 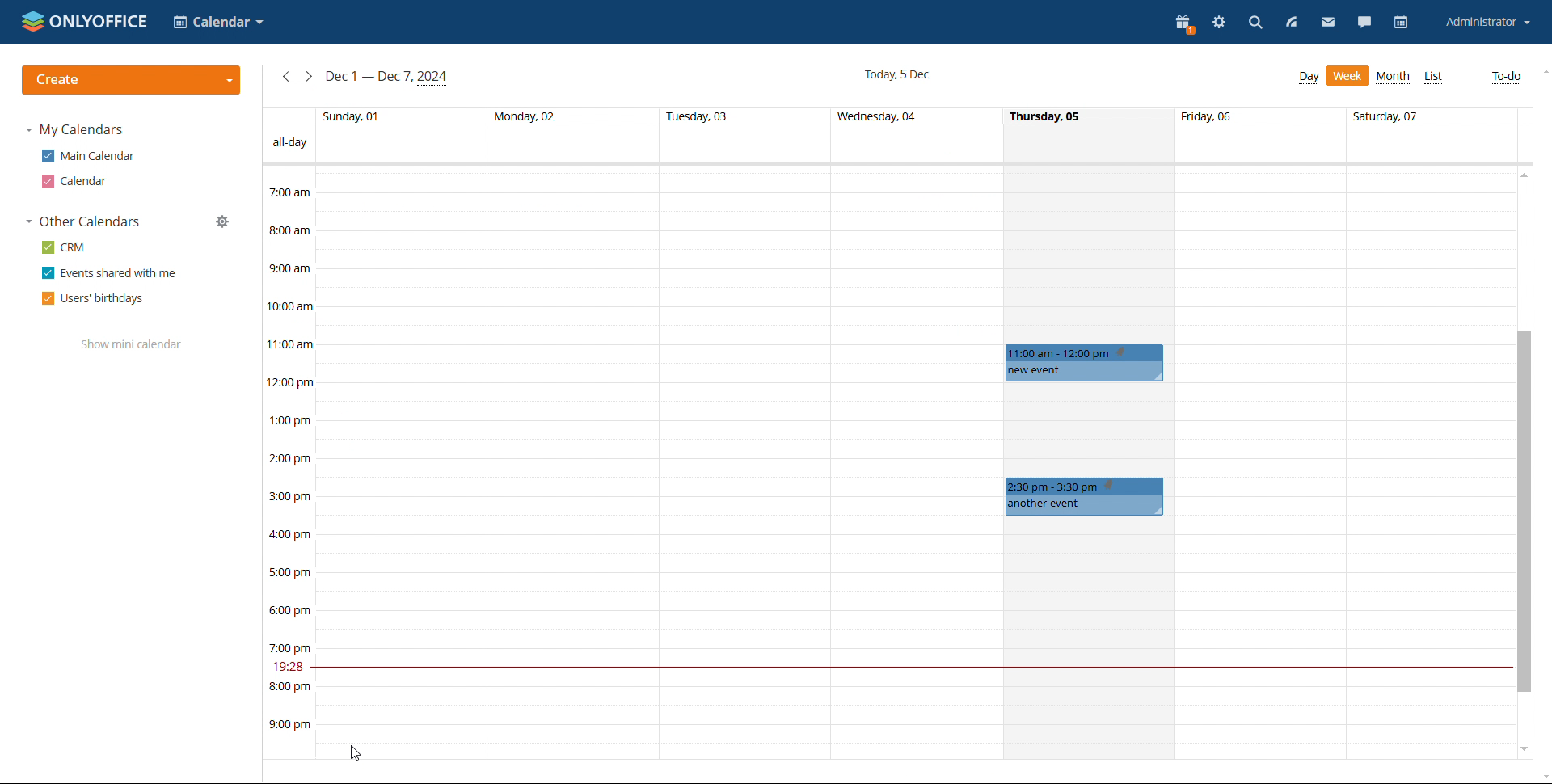 What do you see at coordinates (661, 465) in the screenshot?
I see `boxes` at bounding box center [661, 465].